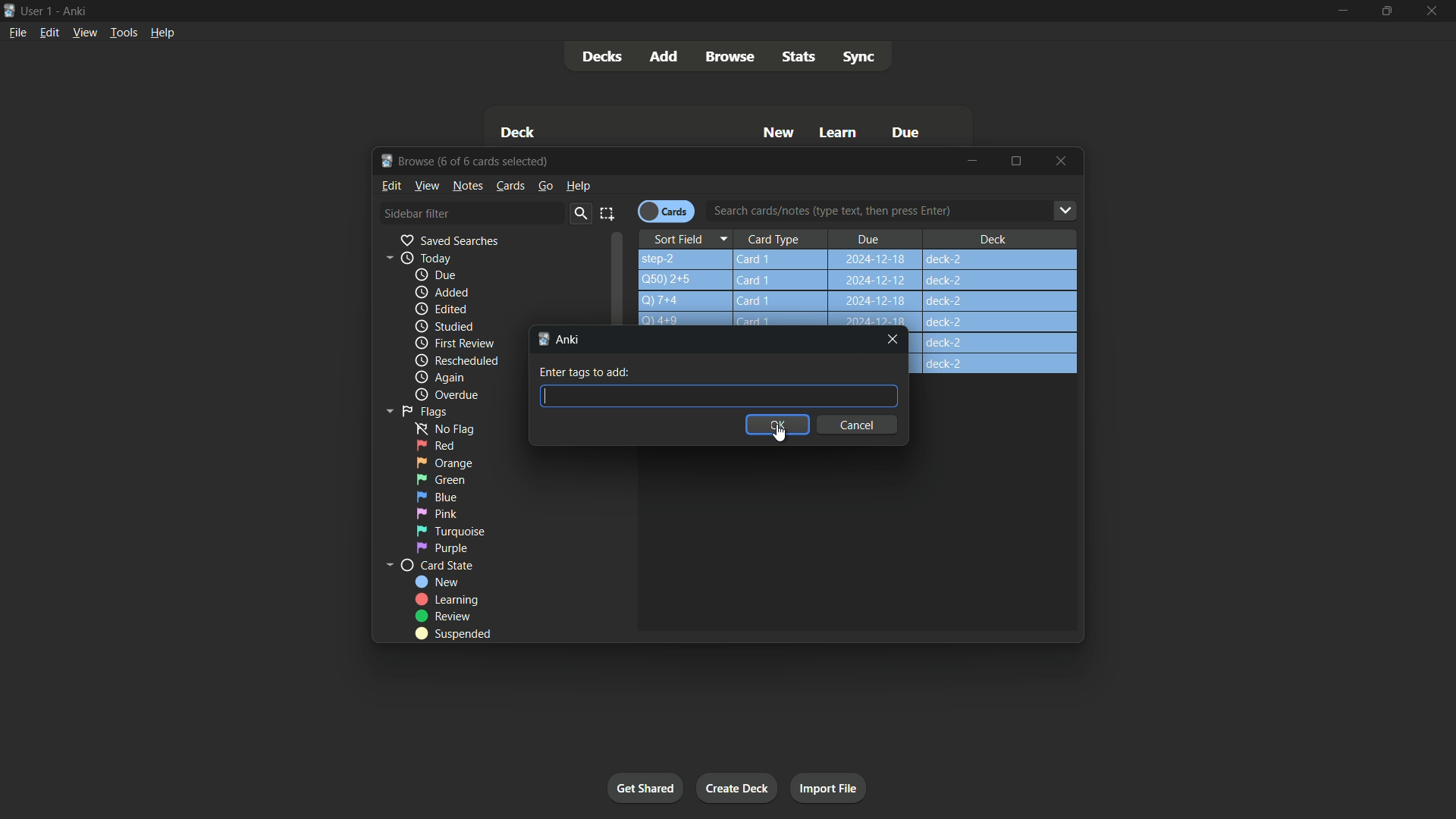 This screenshot has width=1456, height=819. What do you see at coordinates (717, 395) in the screenshot?
I see `Type bar` at bounding box center [717, 395].